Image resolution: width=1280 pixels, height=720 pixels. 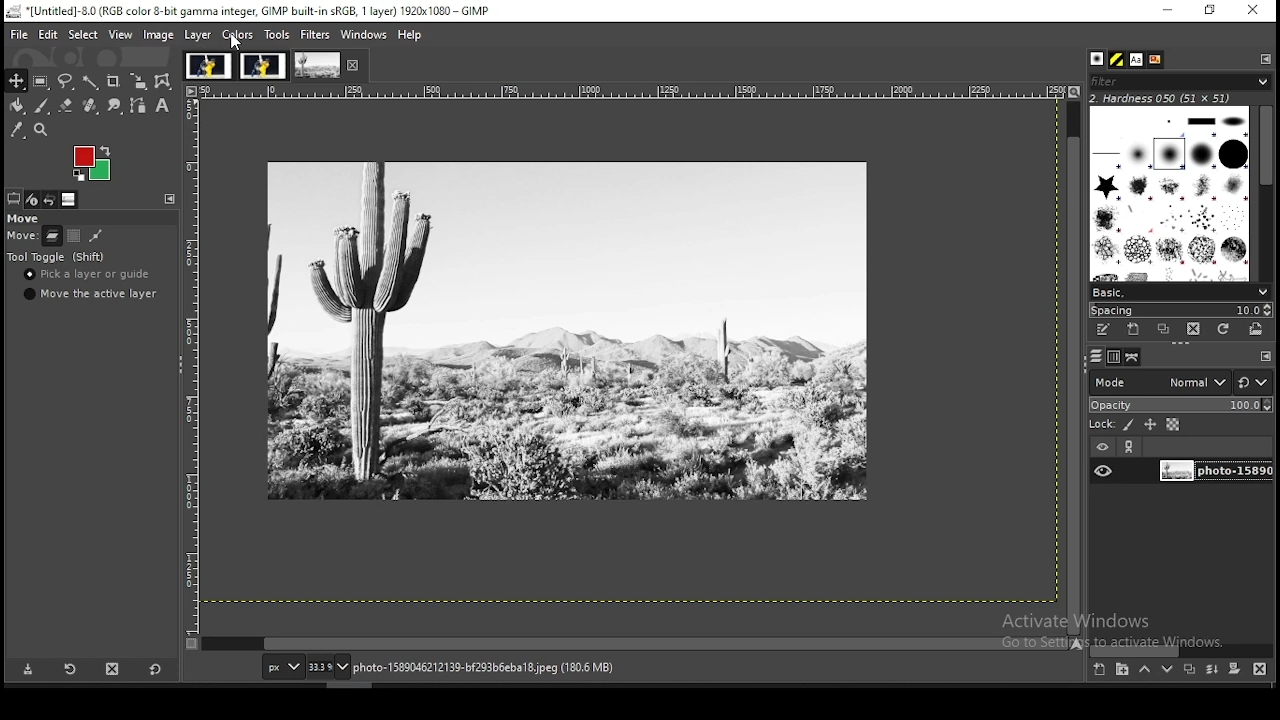 What do you see at coordinates (207, 64) in the screenshot?
I see `image` at bounding box center [207, 64].